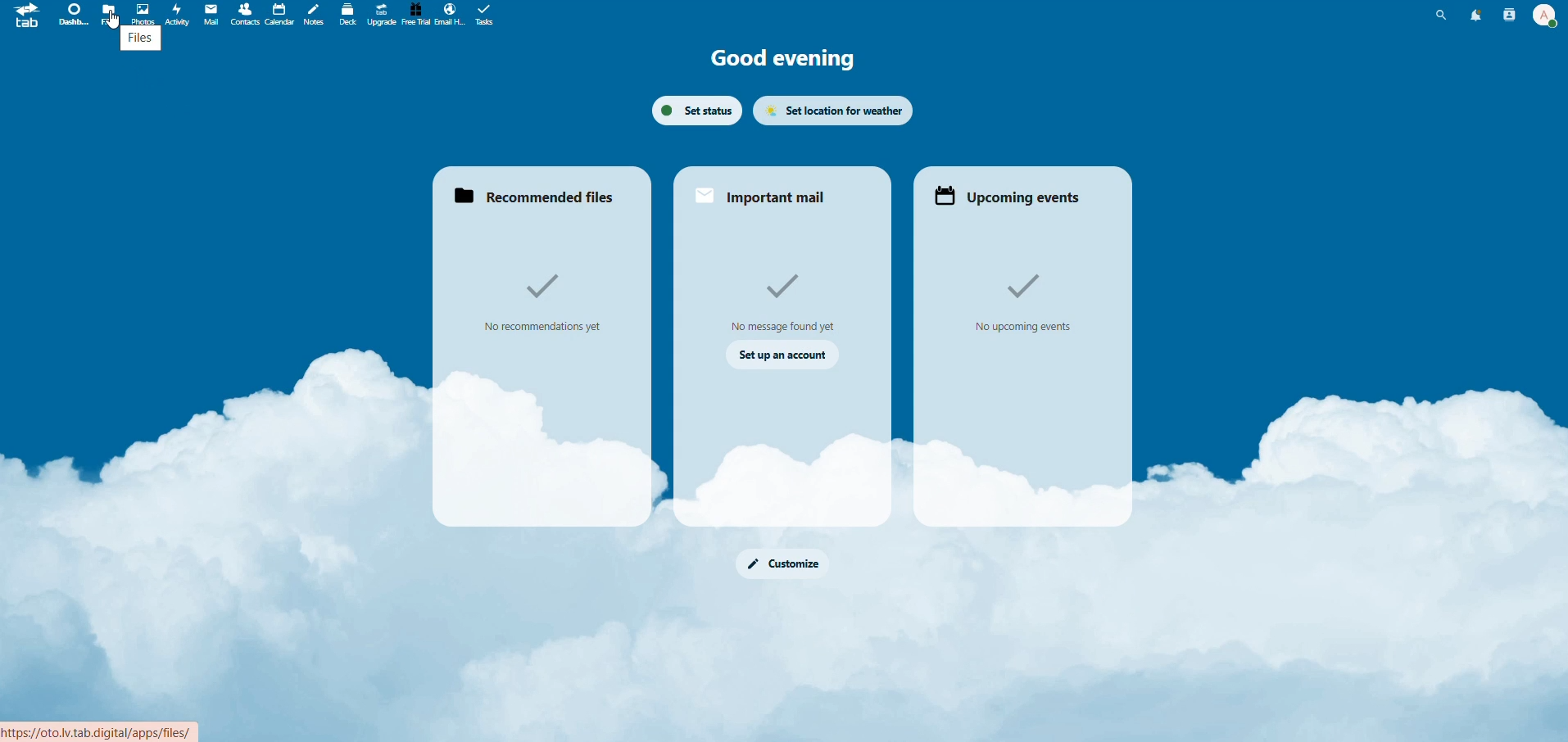  What do you see at coordinates (791, 299) in the screenshot?
I see `Text` at bounding box center [791, 299].